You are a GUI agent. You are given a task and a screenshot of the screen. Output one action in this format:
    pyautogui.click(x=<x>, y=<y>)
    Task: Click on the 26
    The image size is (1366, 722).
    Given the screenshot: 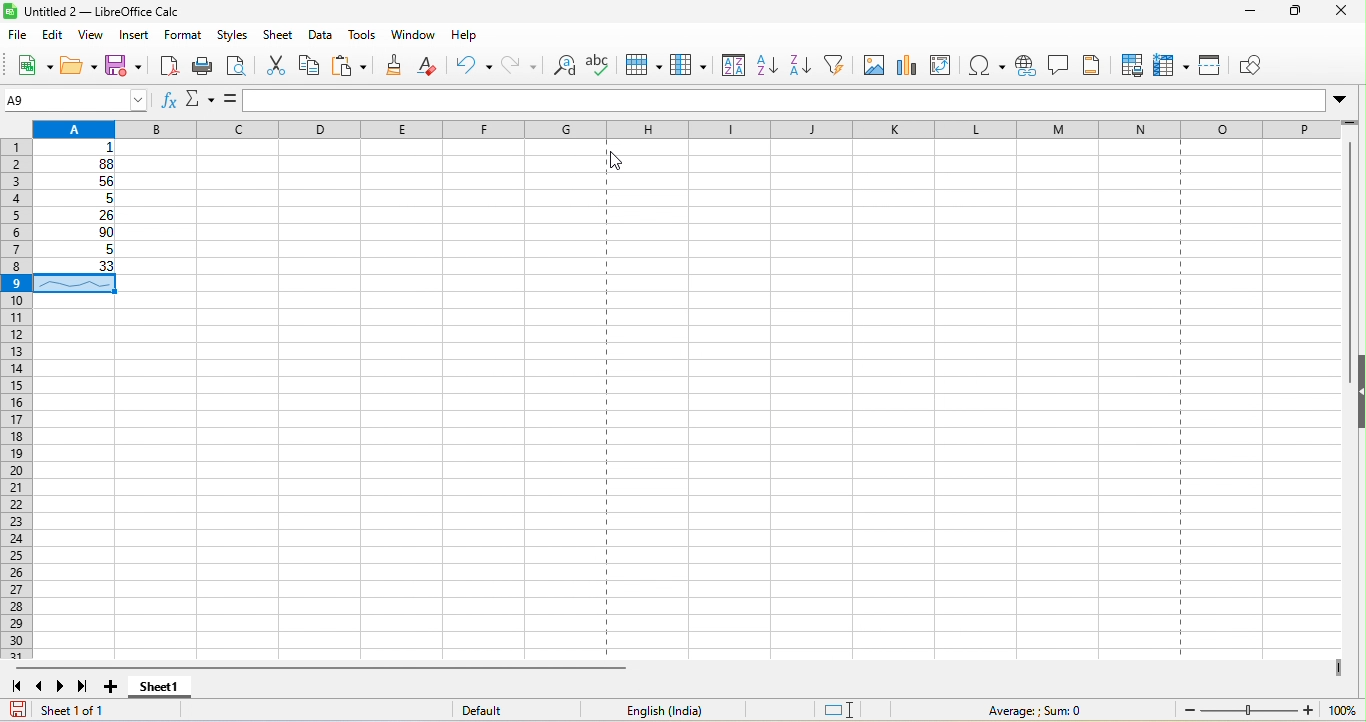 What is the action you would take?
    pyautogui.click(x=79, y=216)
    